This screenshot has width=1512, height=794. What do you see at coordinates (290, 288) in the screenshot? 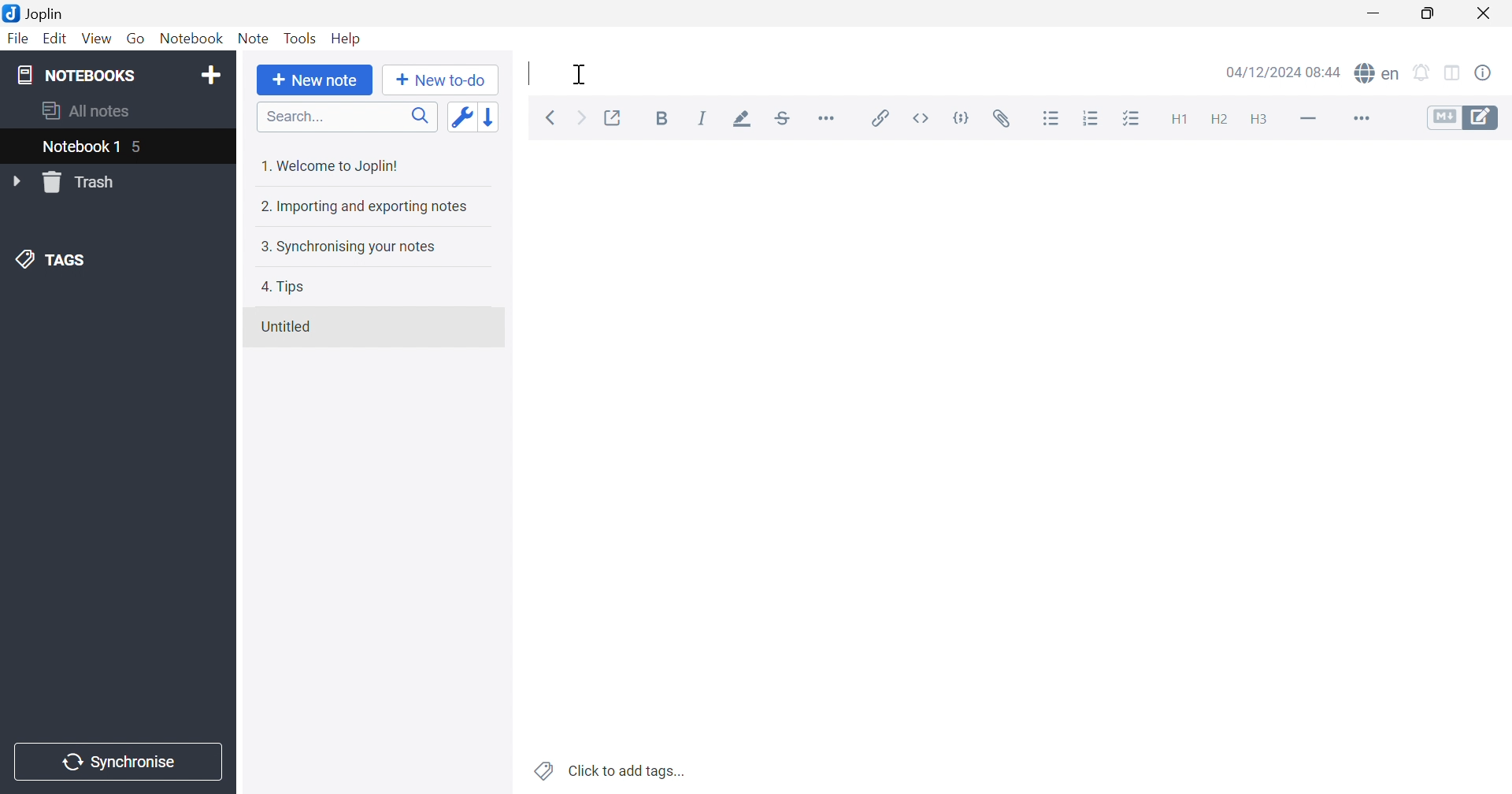
I see `4. Tips` at bounding box center [290, 288].